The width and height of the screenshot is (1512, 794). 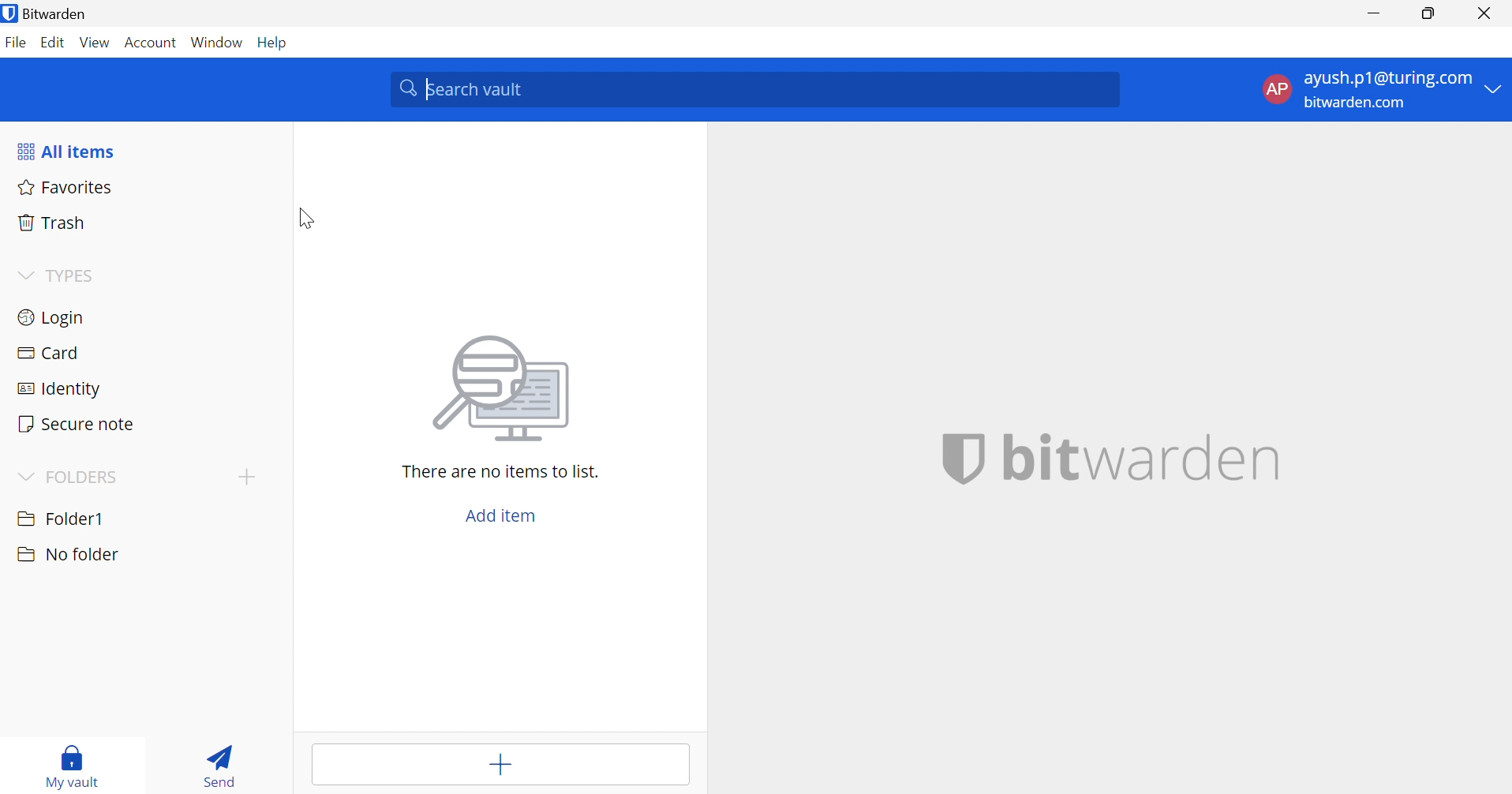 I want to click on Bitwarden, so click(x=49, y=13).